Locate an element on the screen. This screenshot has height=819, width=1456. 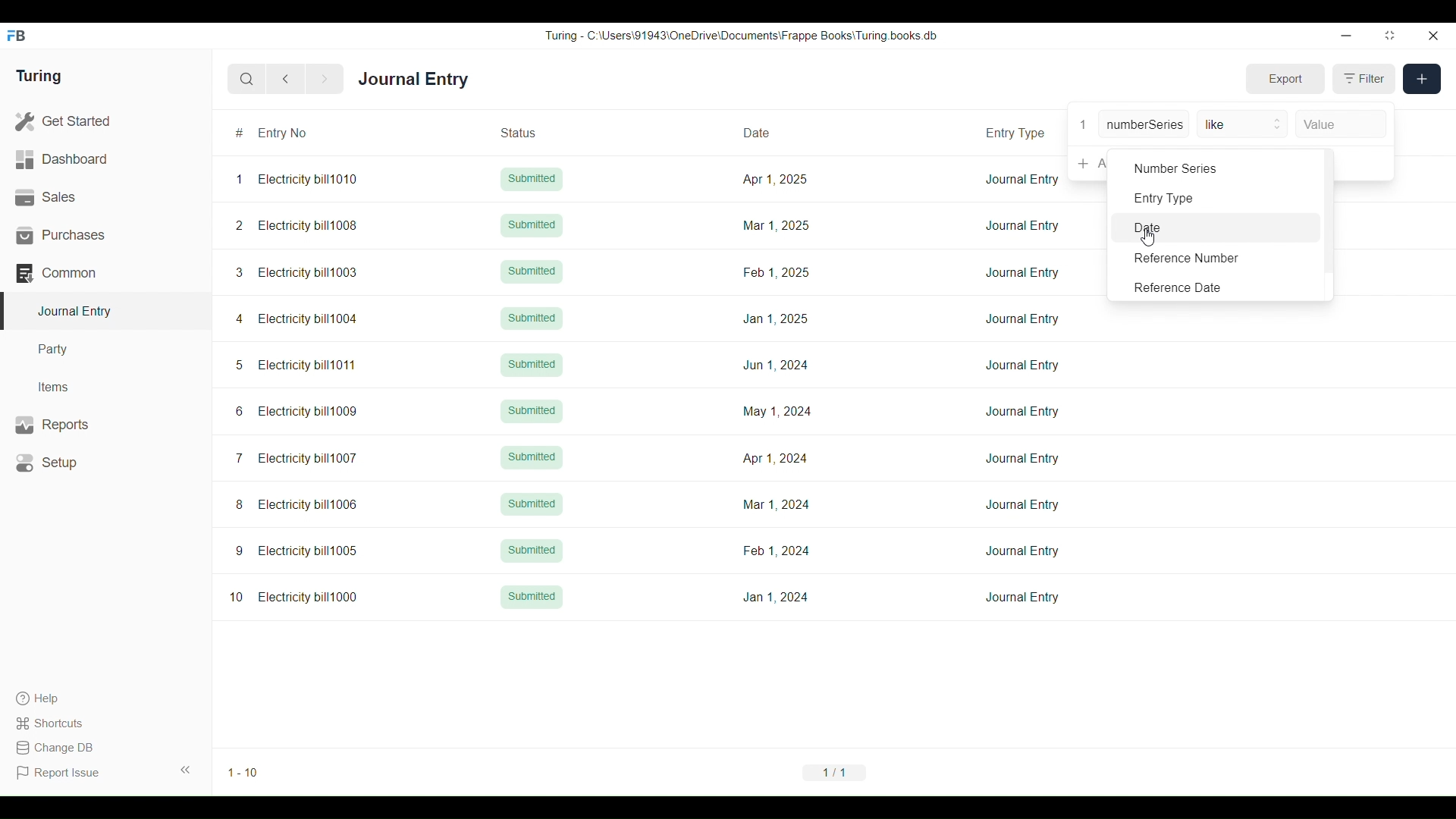
4 Electricity bill1004 is located at coordinates (297, 318).